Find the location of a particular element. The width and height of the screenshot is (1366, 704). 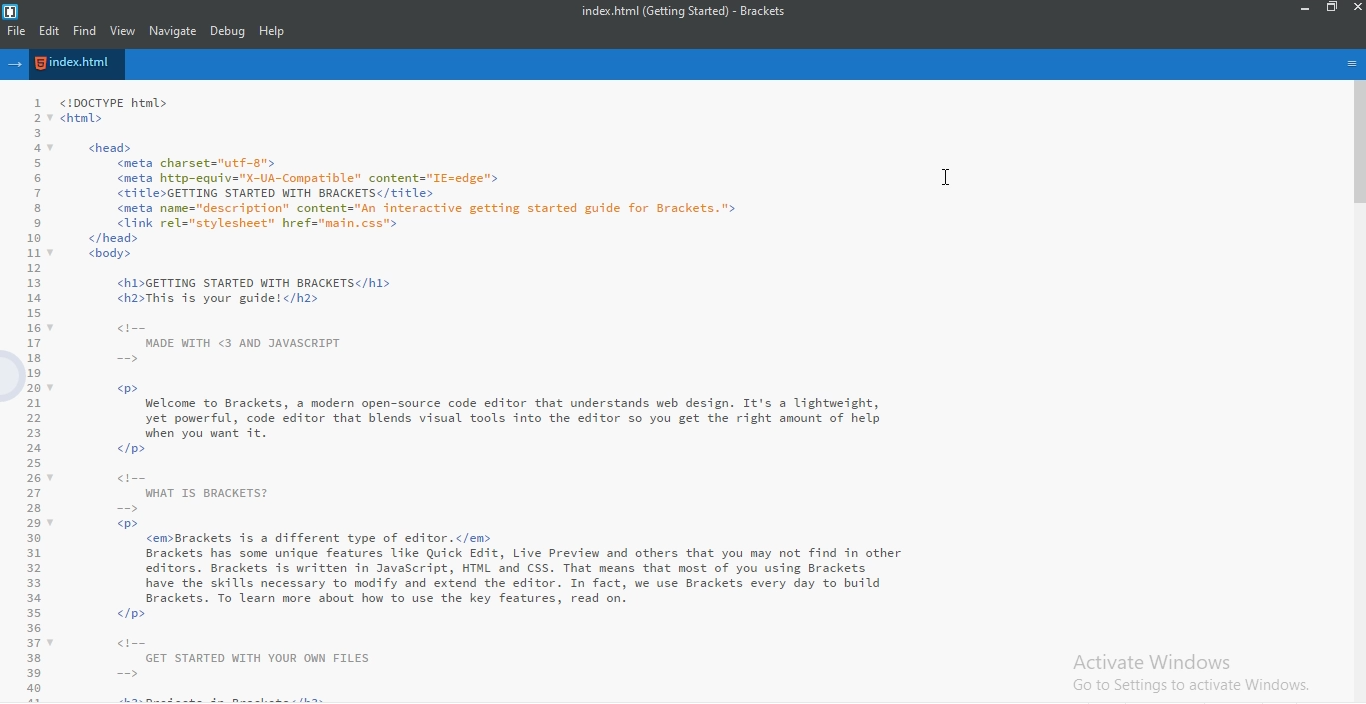

view is located at coordinates (124, 31).